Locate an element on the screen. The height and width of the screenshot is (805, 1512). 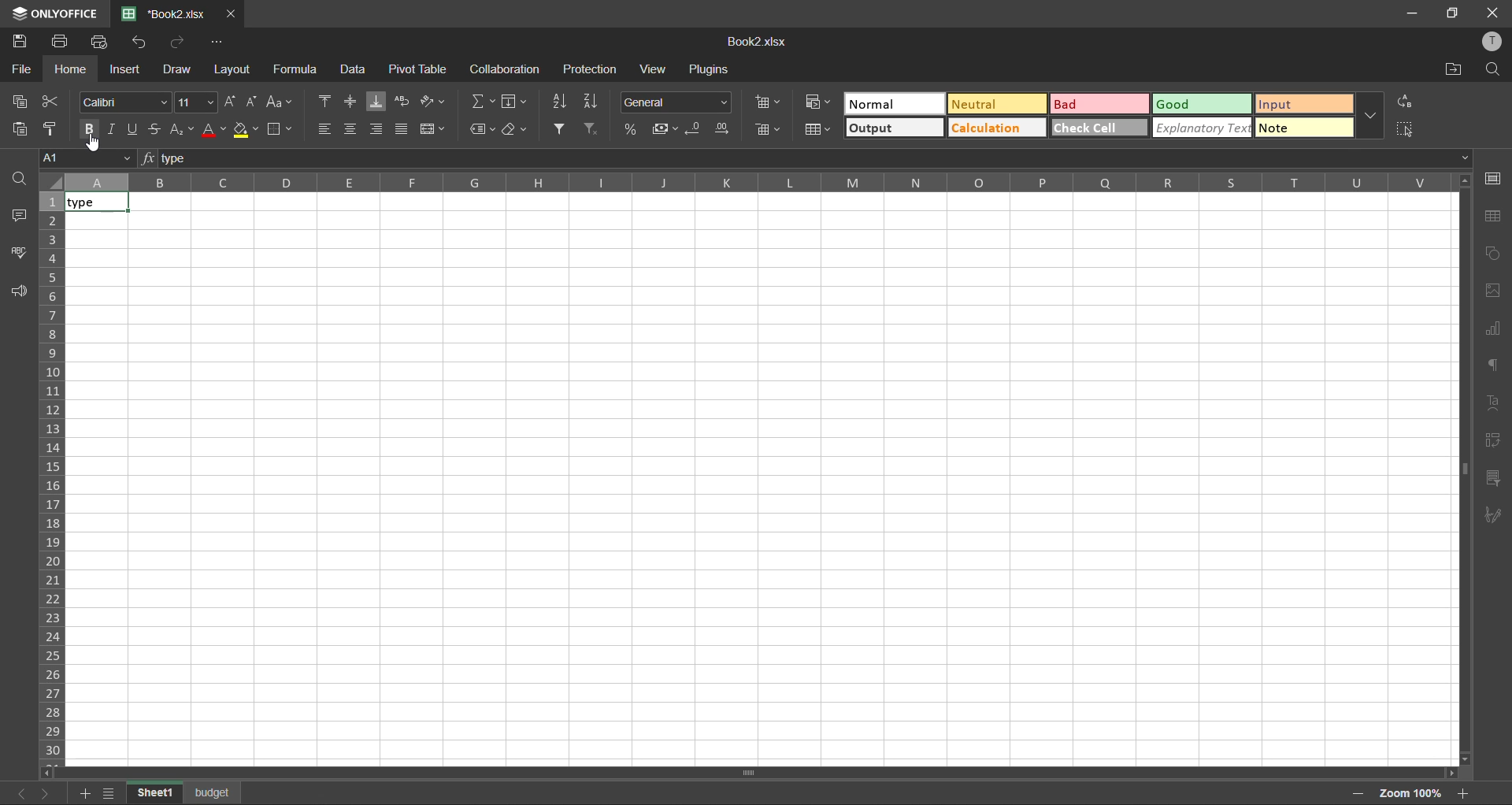
zoom in is located at coordinates (1466, 793).